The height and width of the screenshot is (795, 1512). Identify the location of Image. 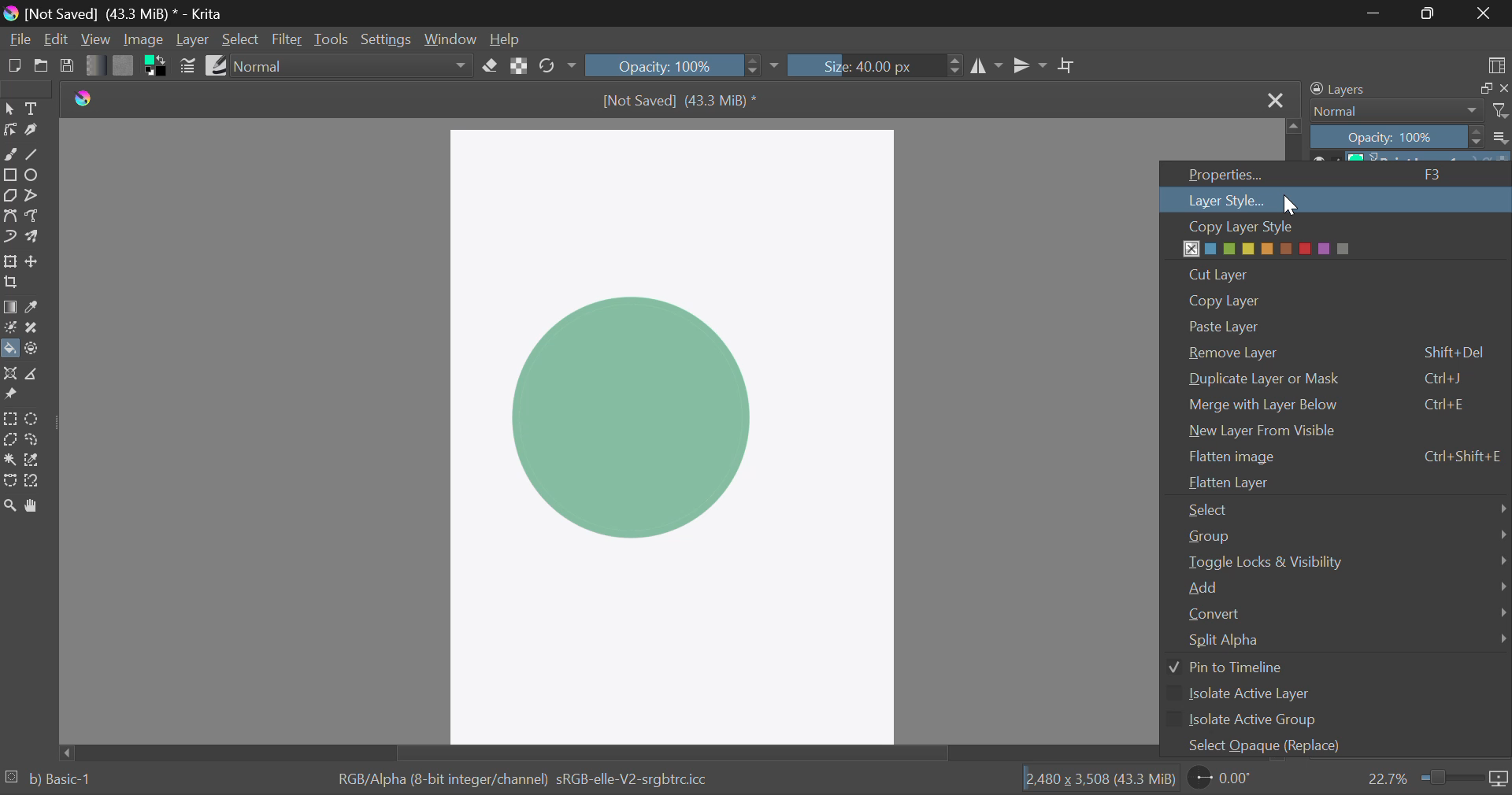
(141, 40).